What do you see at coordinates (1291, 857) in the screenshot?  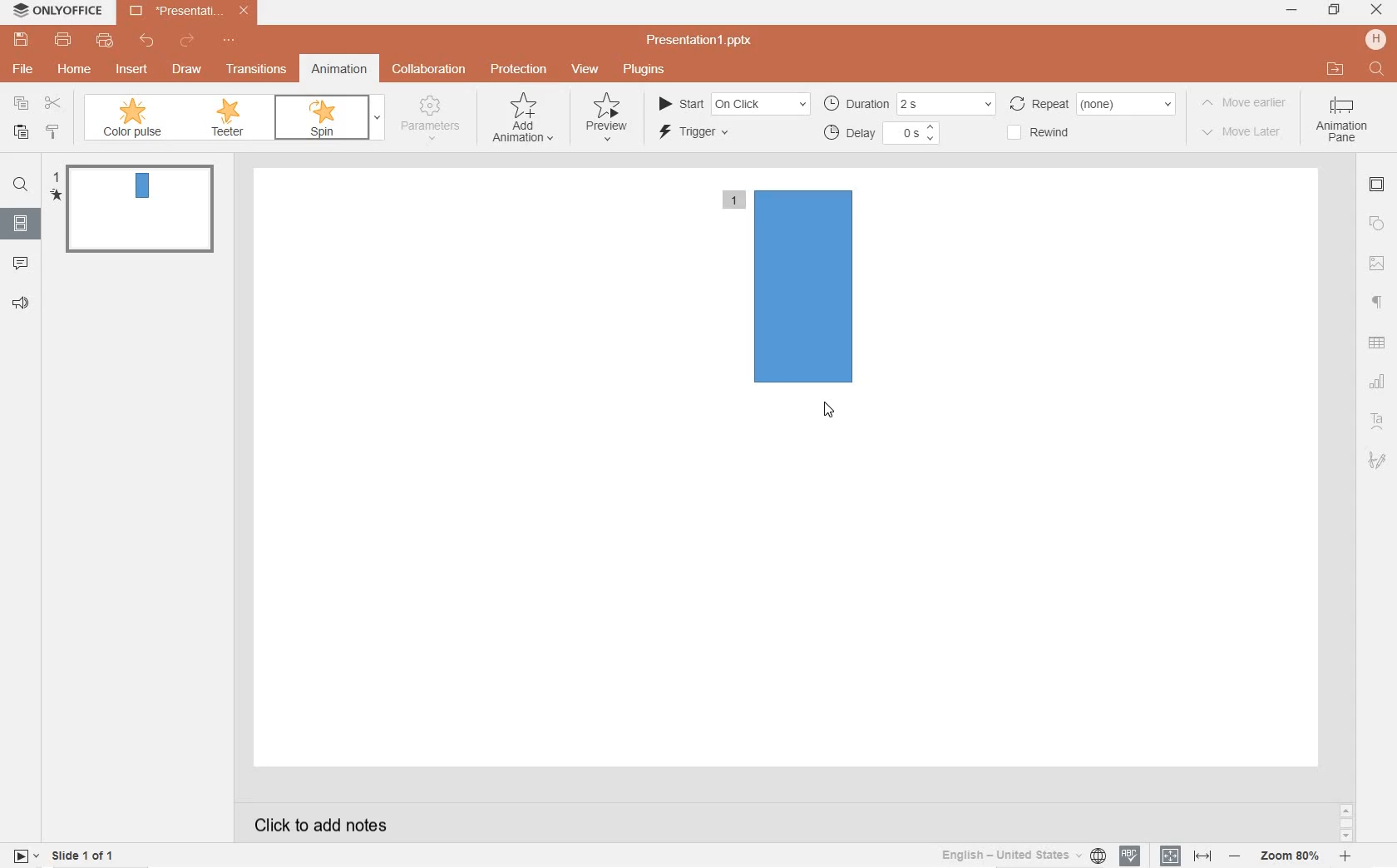 I see `Zoom 80%` at bounding box center [1291, 857].